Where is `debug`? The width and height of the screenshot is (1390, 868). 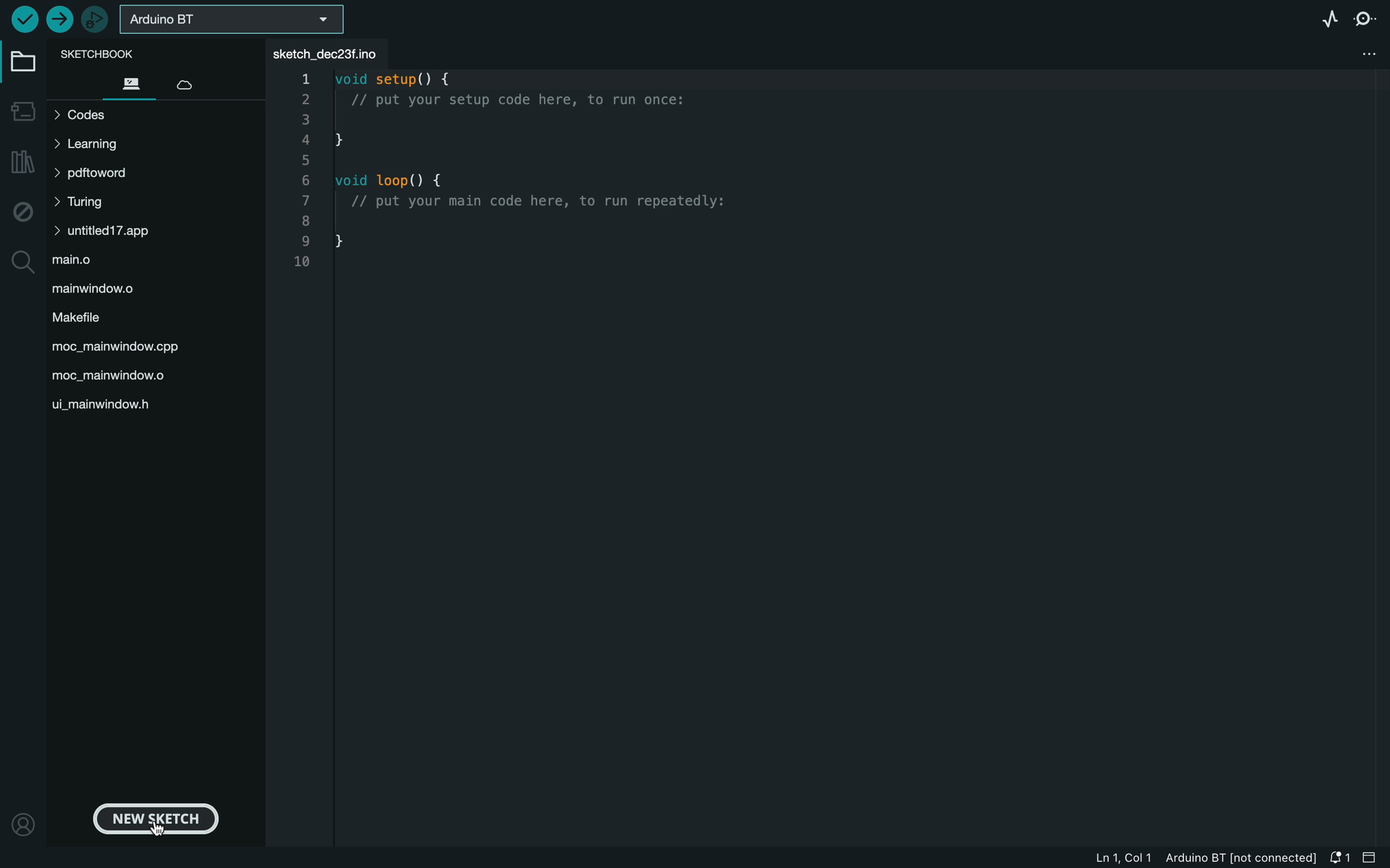 debug is located at coordinates (23, 208).